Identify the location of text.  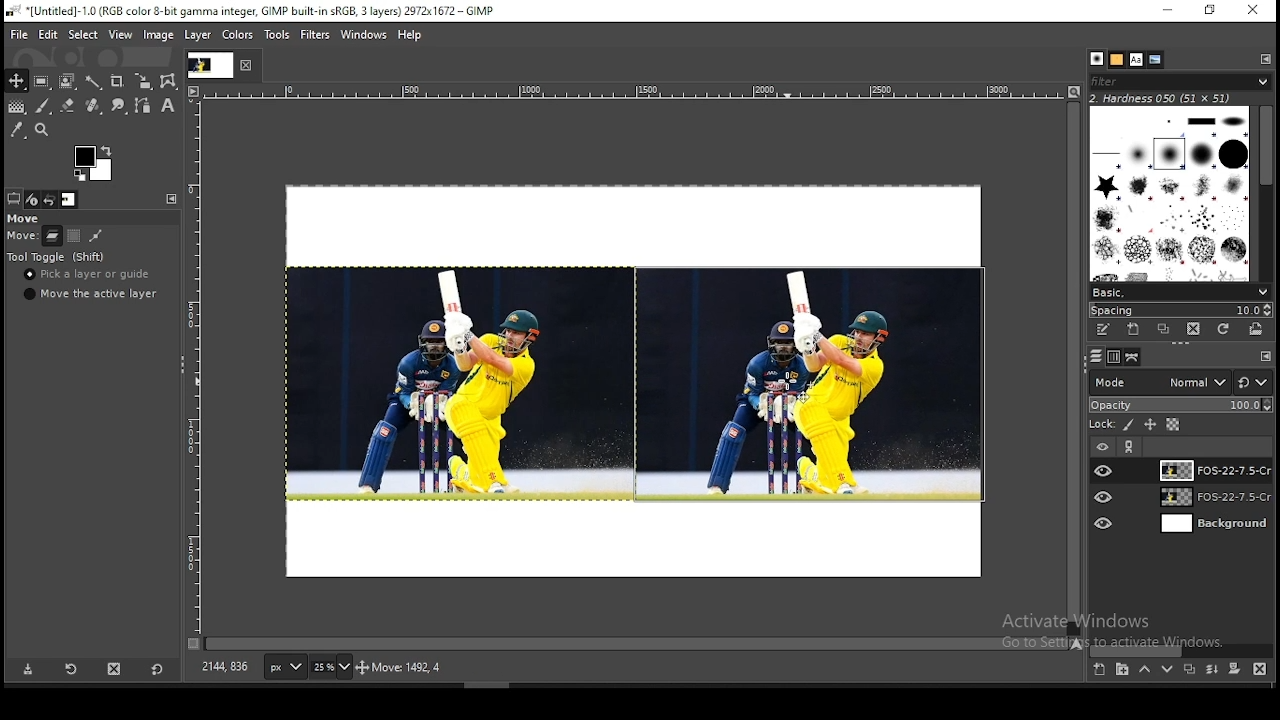
(1119, 631).